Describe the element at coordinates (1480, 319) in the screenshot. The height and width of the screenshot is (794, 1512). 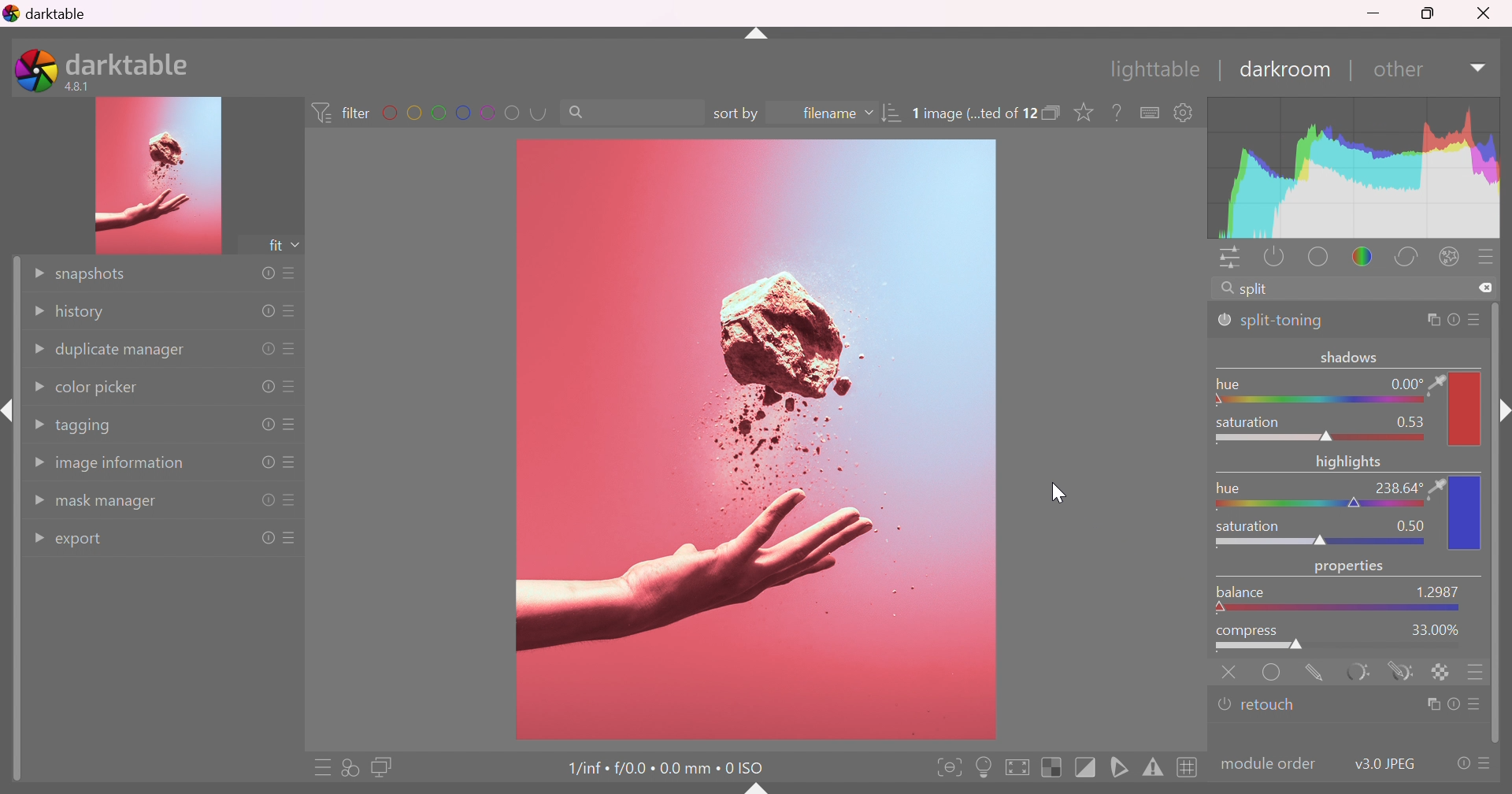
I see `preset` at that location.